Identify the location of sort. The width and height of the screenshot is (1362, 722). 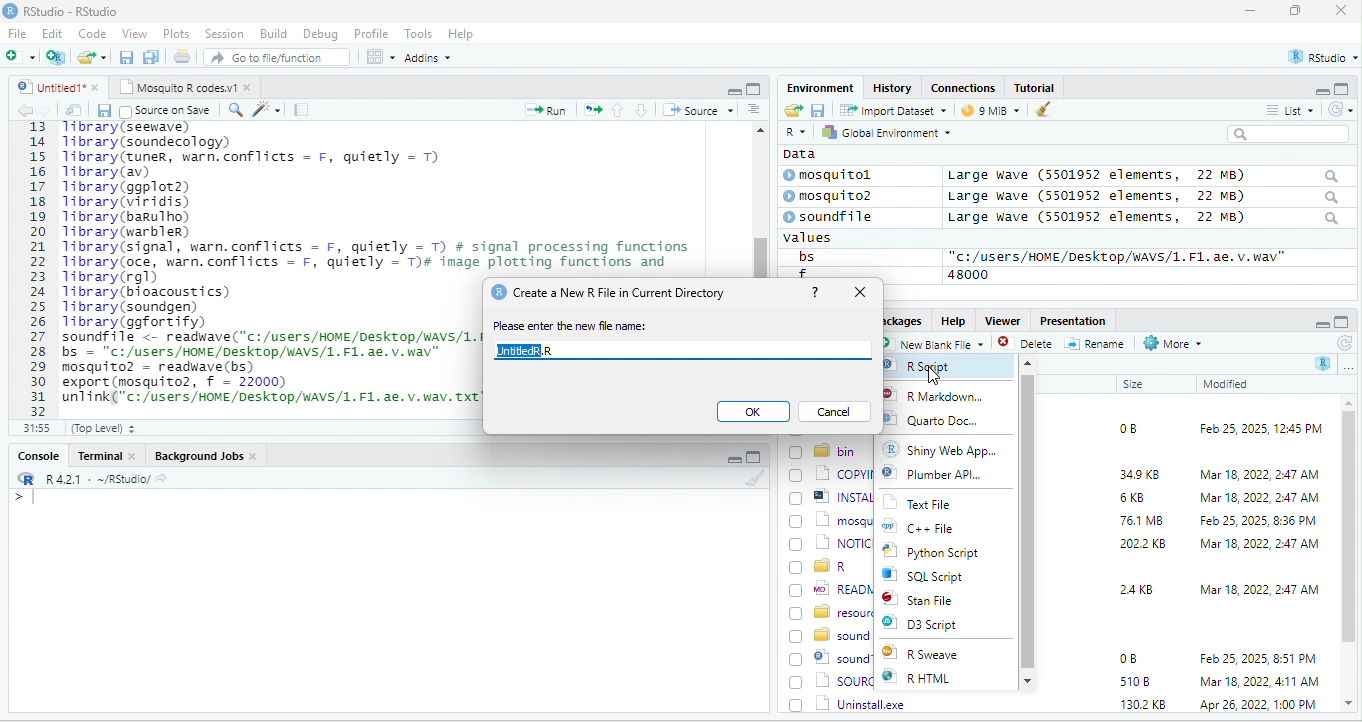
(753, 108).